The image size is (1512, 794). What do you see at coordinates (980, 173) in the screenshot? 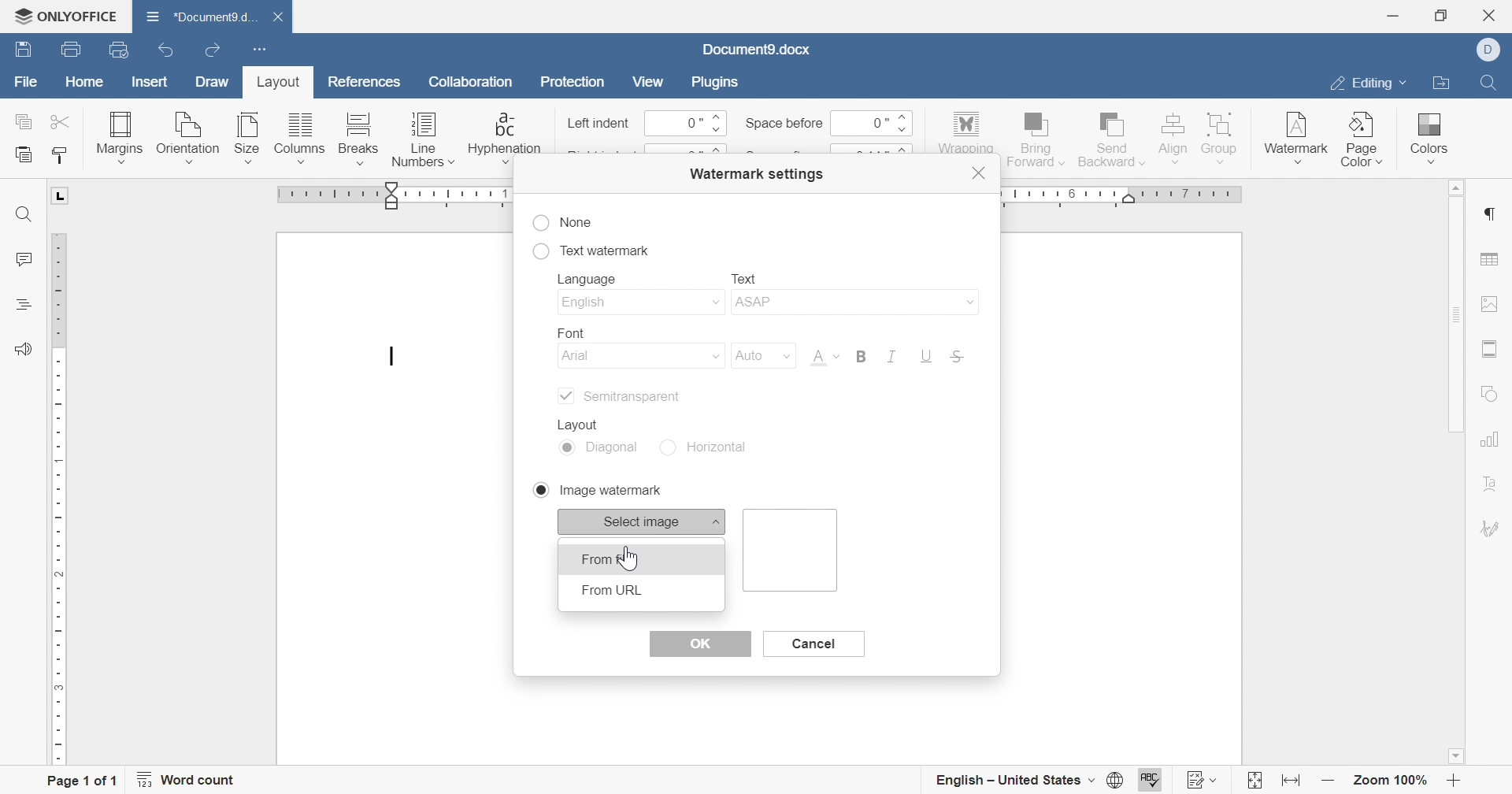
I see `close` at bounding box center [980, 173].